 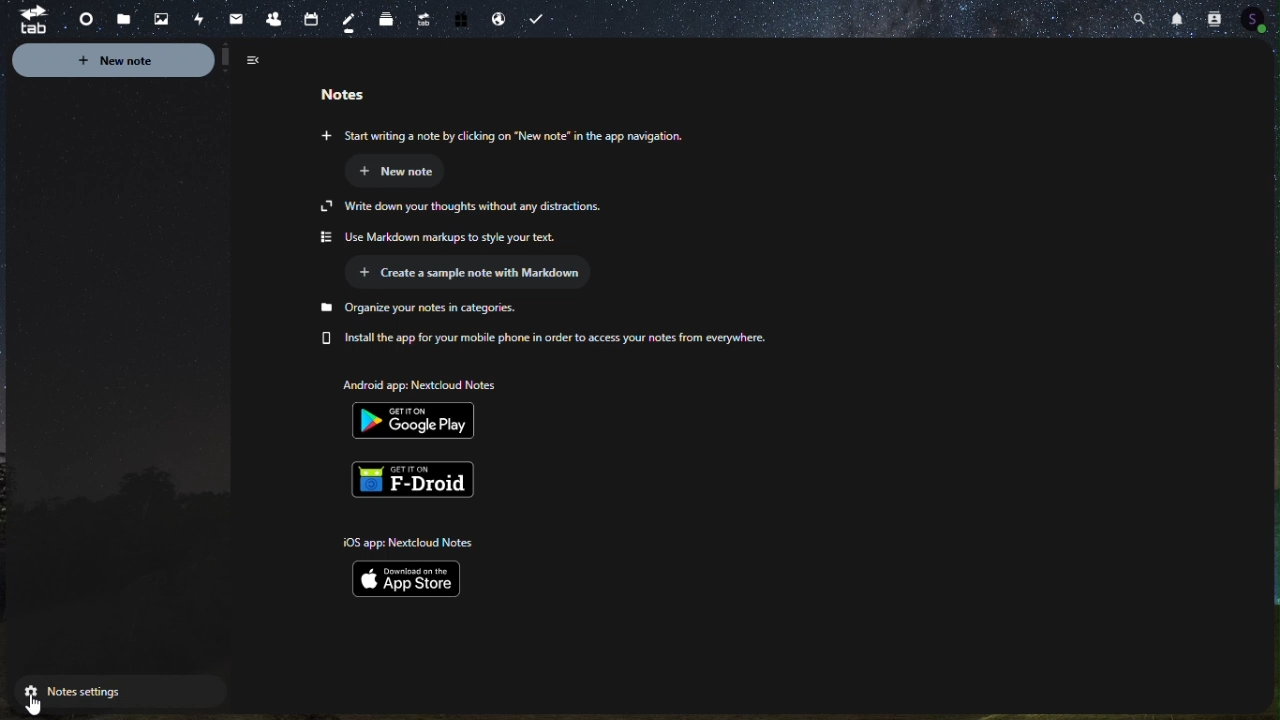 I want to click on New note, so click(x=411, y=172).